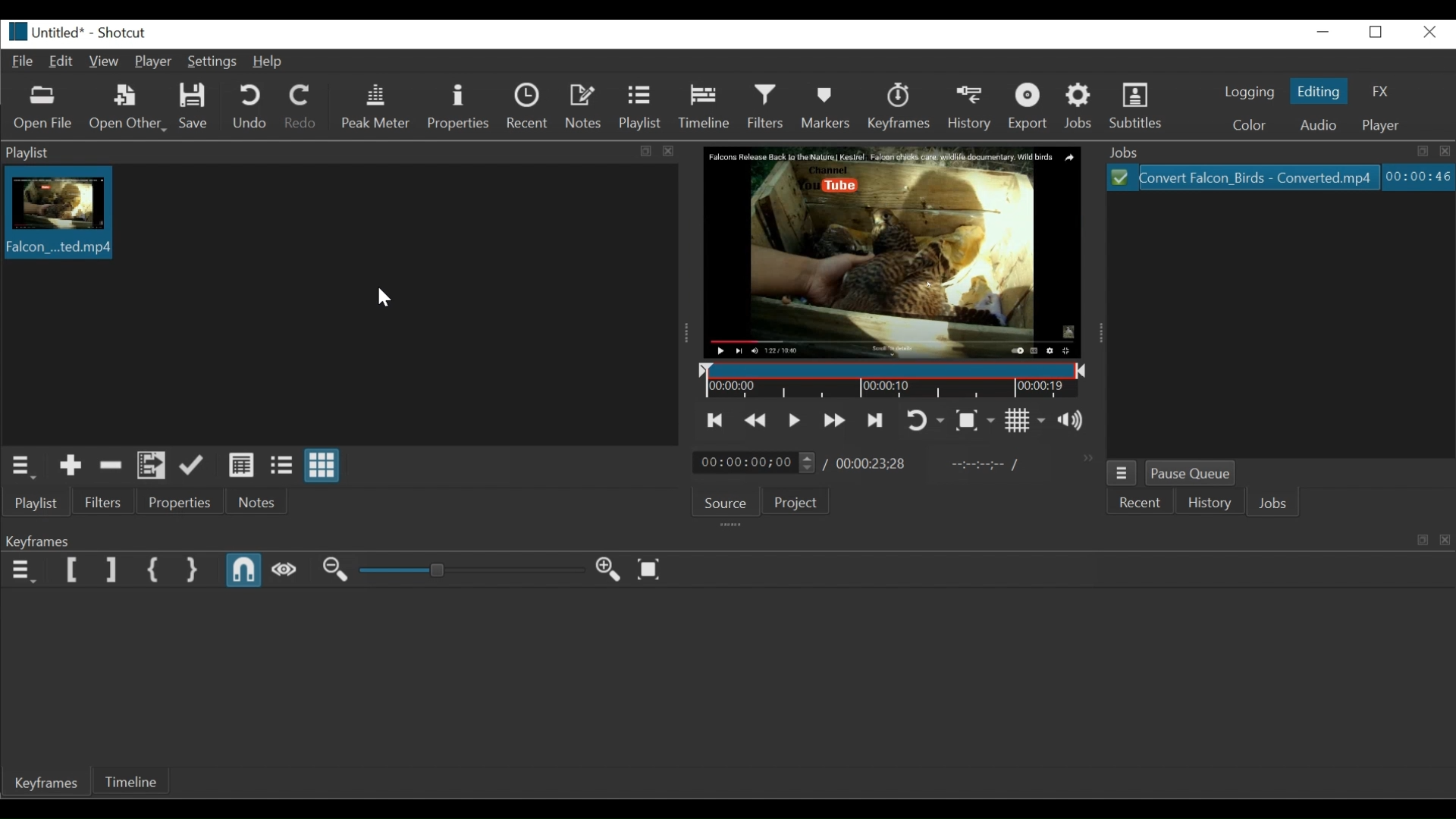 This screenshot has width=1456, height=819. What do you see at coordinates (47, 784) in the screenshot?
I see `Keyframe Tab` at bounding box center [47, 784].